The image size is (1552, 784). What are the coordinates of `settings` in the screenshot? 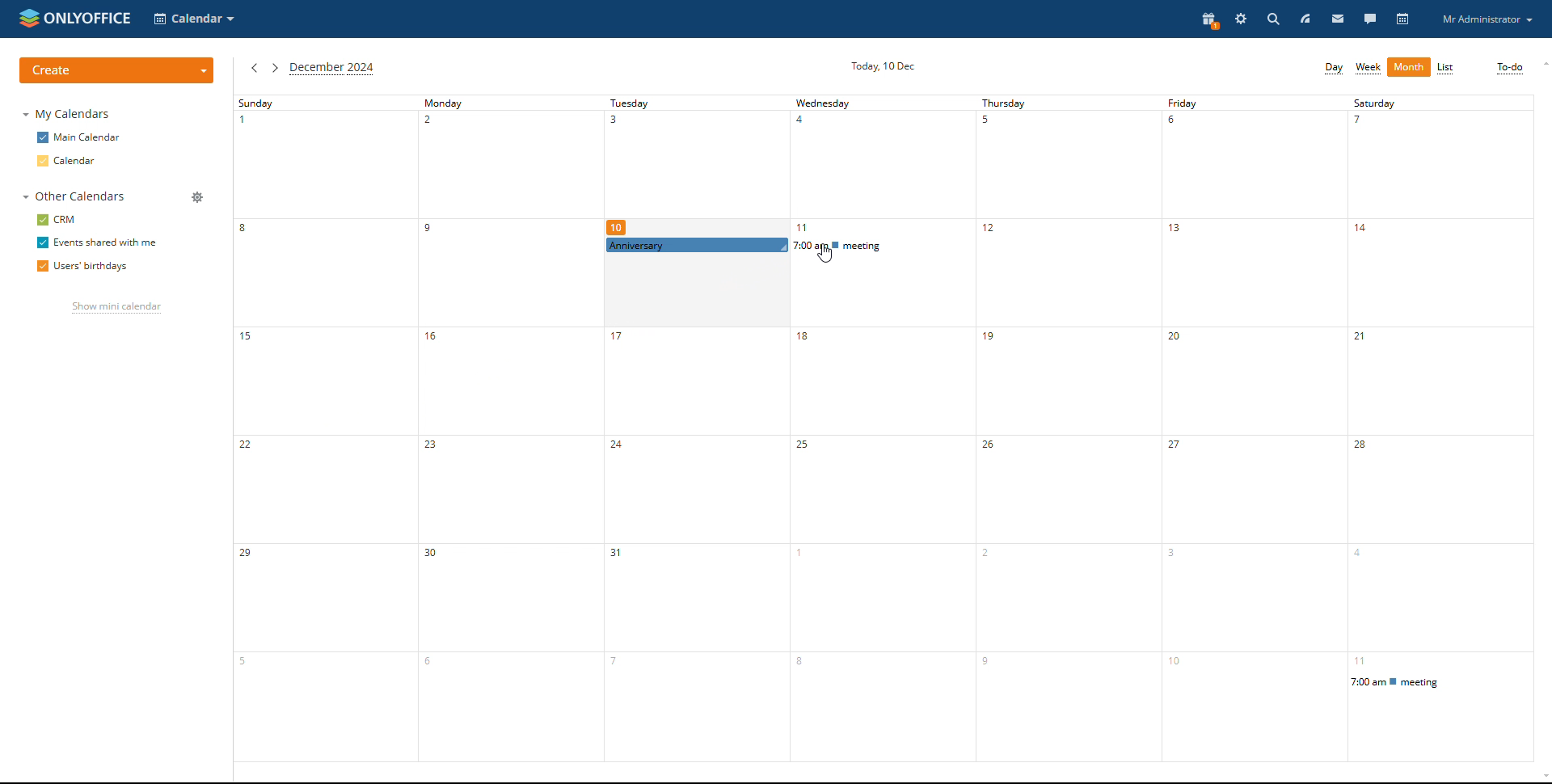 It's located at (1240, 19).